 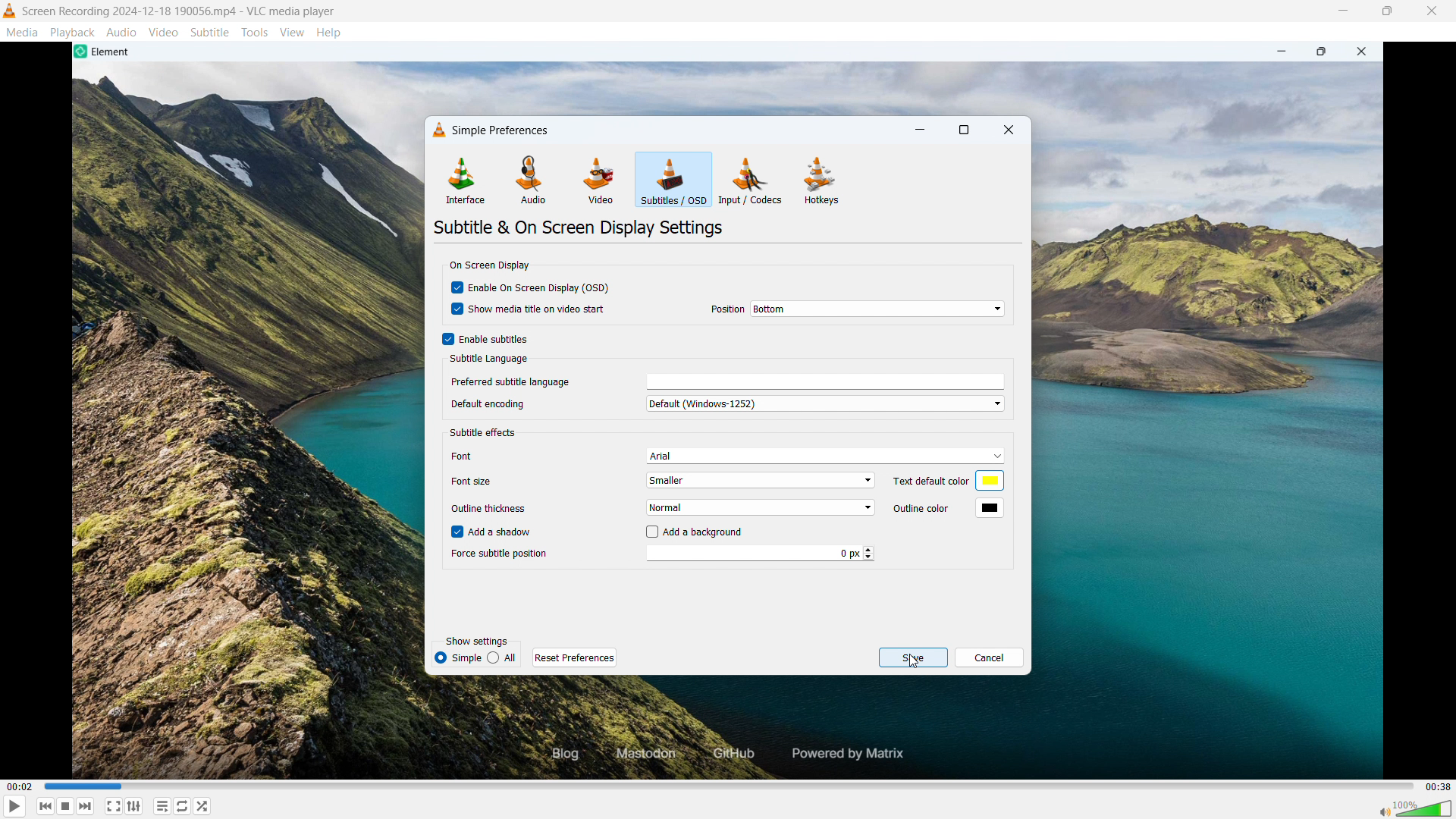 What do you see at coordinates (458, 287) in the screenshot?
I see `checkbox` at bounding box center [458, 287].